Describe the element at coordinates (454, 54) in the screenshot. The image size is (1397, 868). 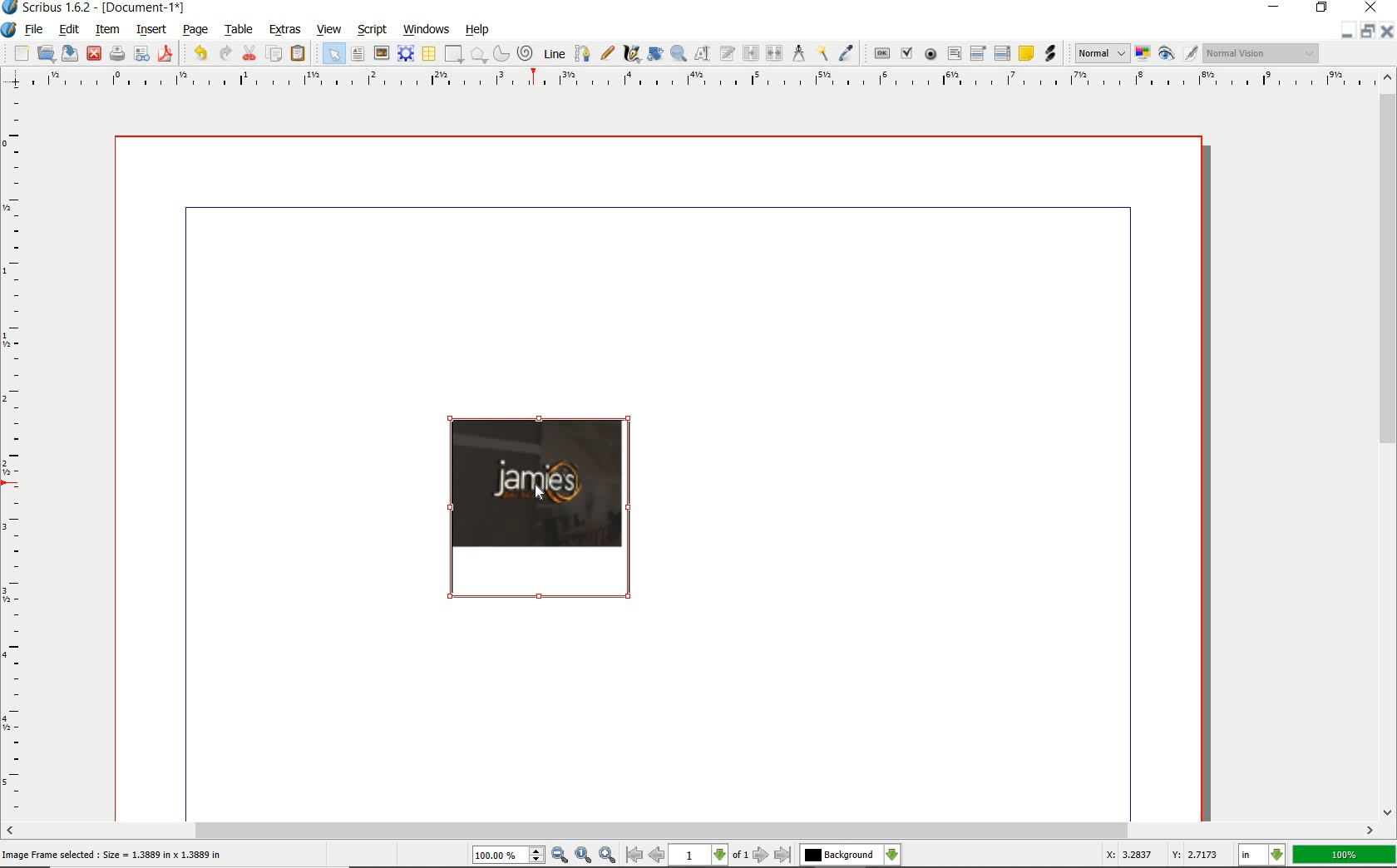
I see `SHAPE` at that location.